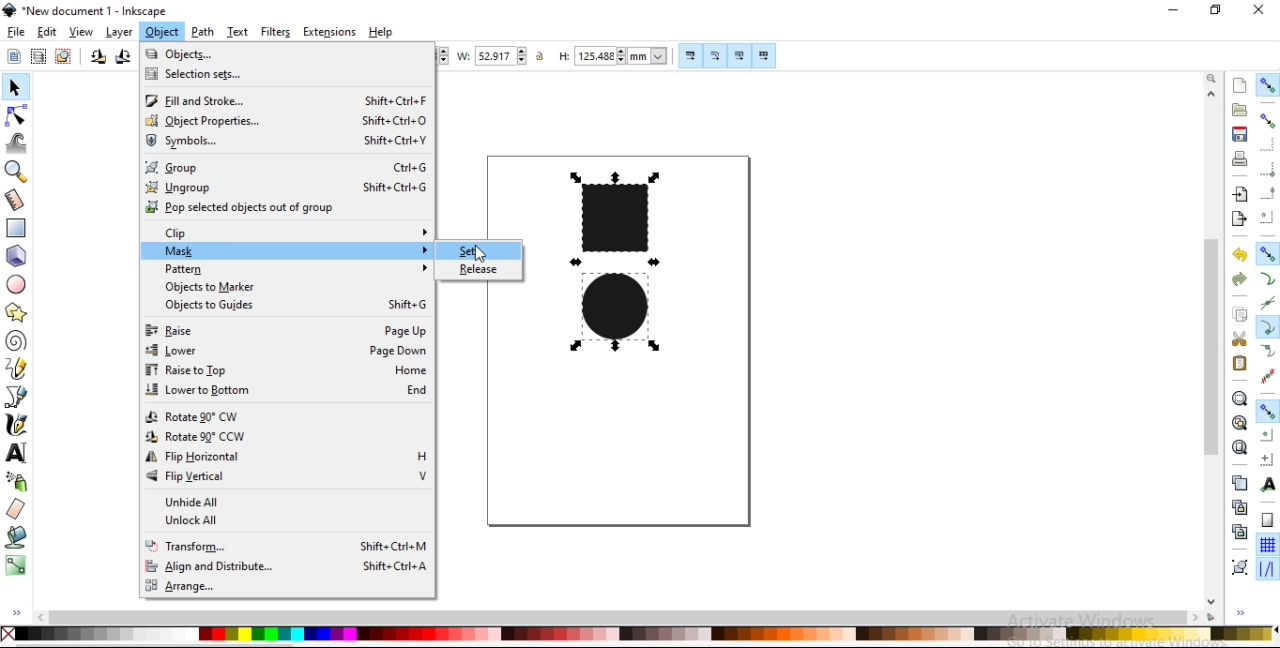 This screenshot has width=1280, height=648. What do you see at coordinates (1237, 220) in the screenshot?
I see `export a document` at bounding box center [1237, 220].